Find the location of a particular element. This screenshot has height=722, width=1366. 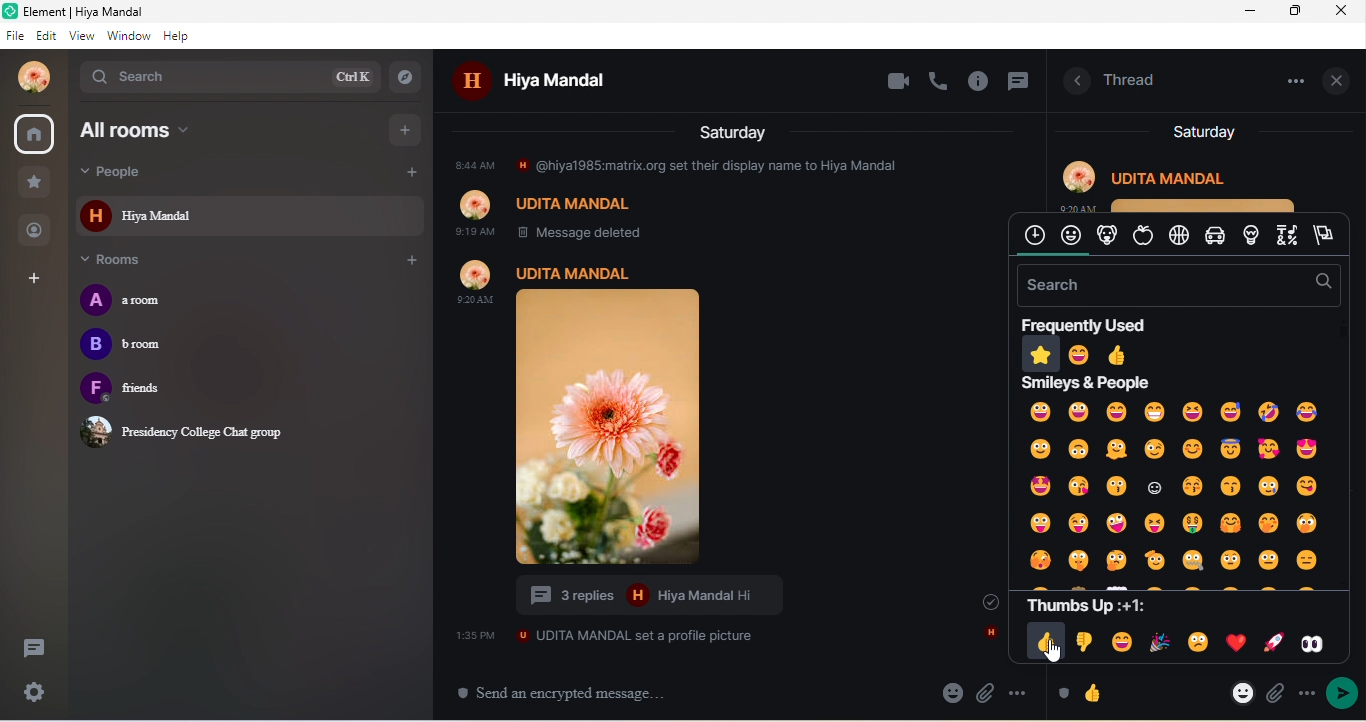

voice call is located at coordinates (940, 80).